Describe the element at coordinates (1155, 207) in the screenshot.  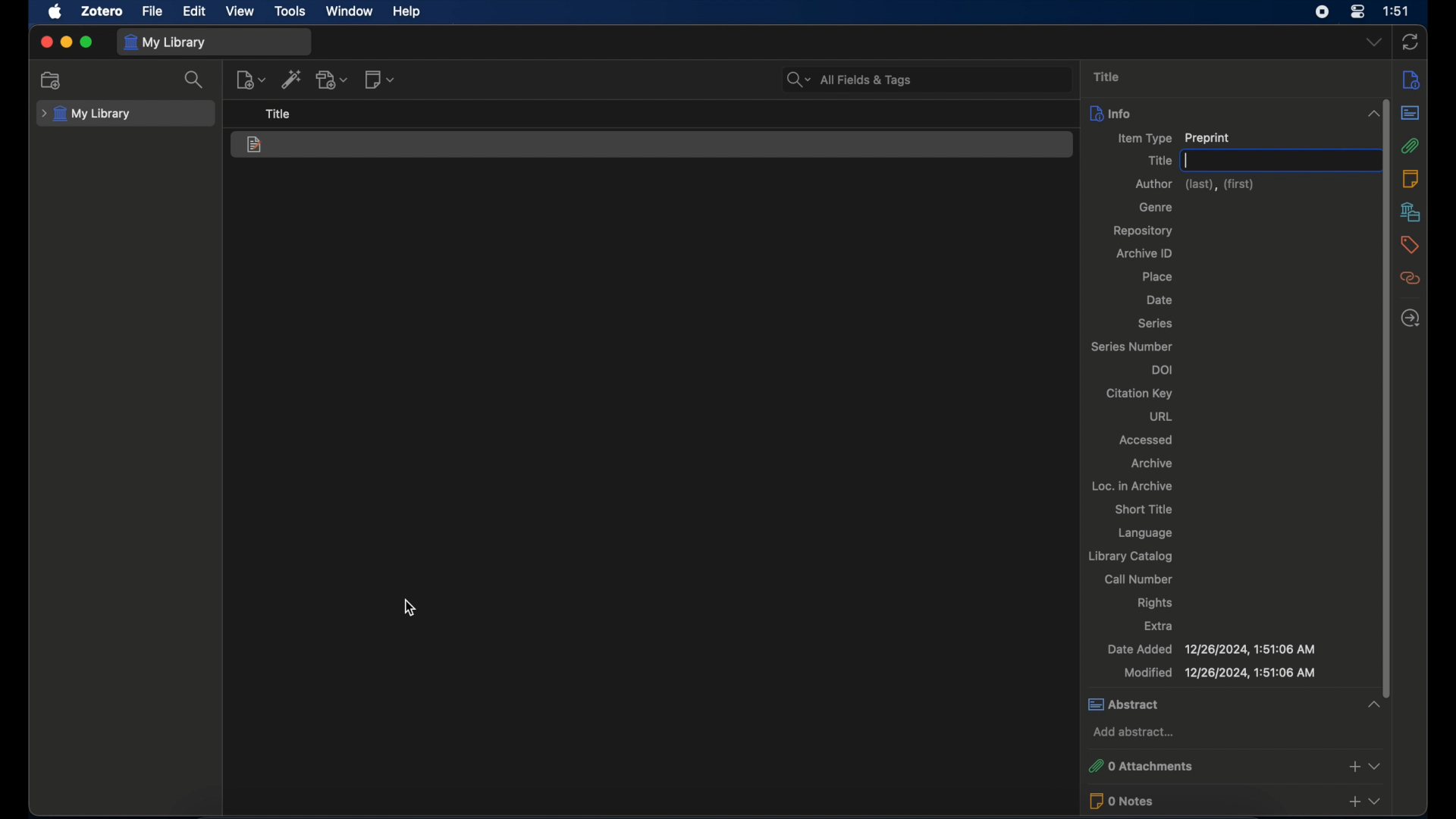
I see `genre` at that location.